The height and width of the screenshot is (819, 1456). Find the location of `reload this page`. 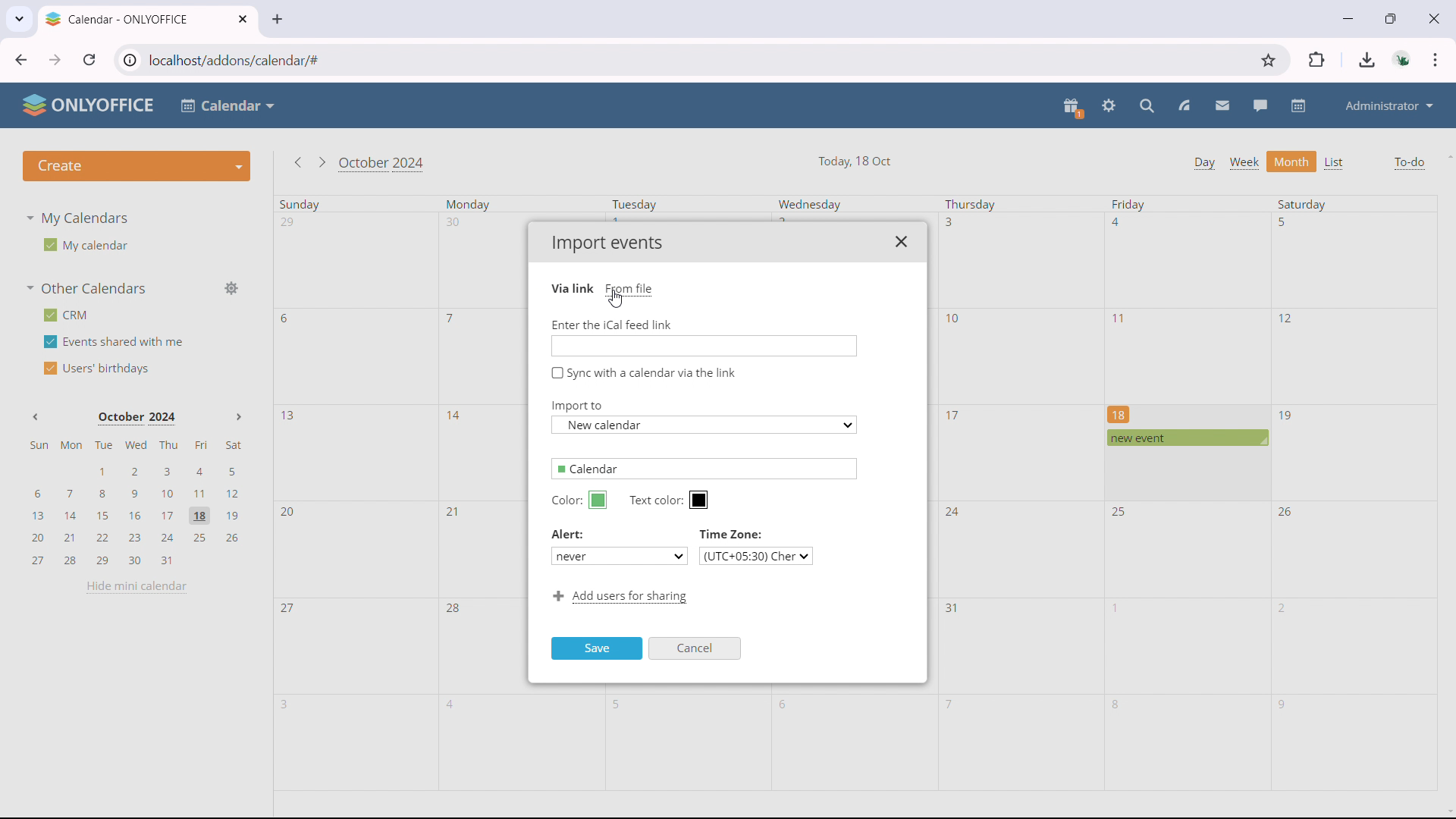

reload this page is located at coordinates (90, 59).